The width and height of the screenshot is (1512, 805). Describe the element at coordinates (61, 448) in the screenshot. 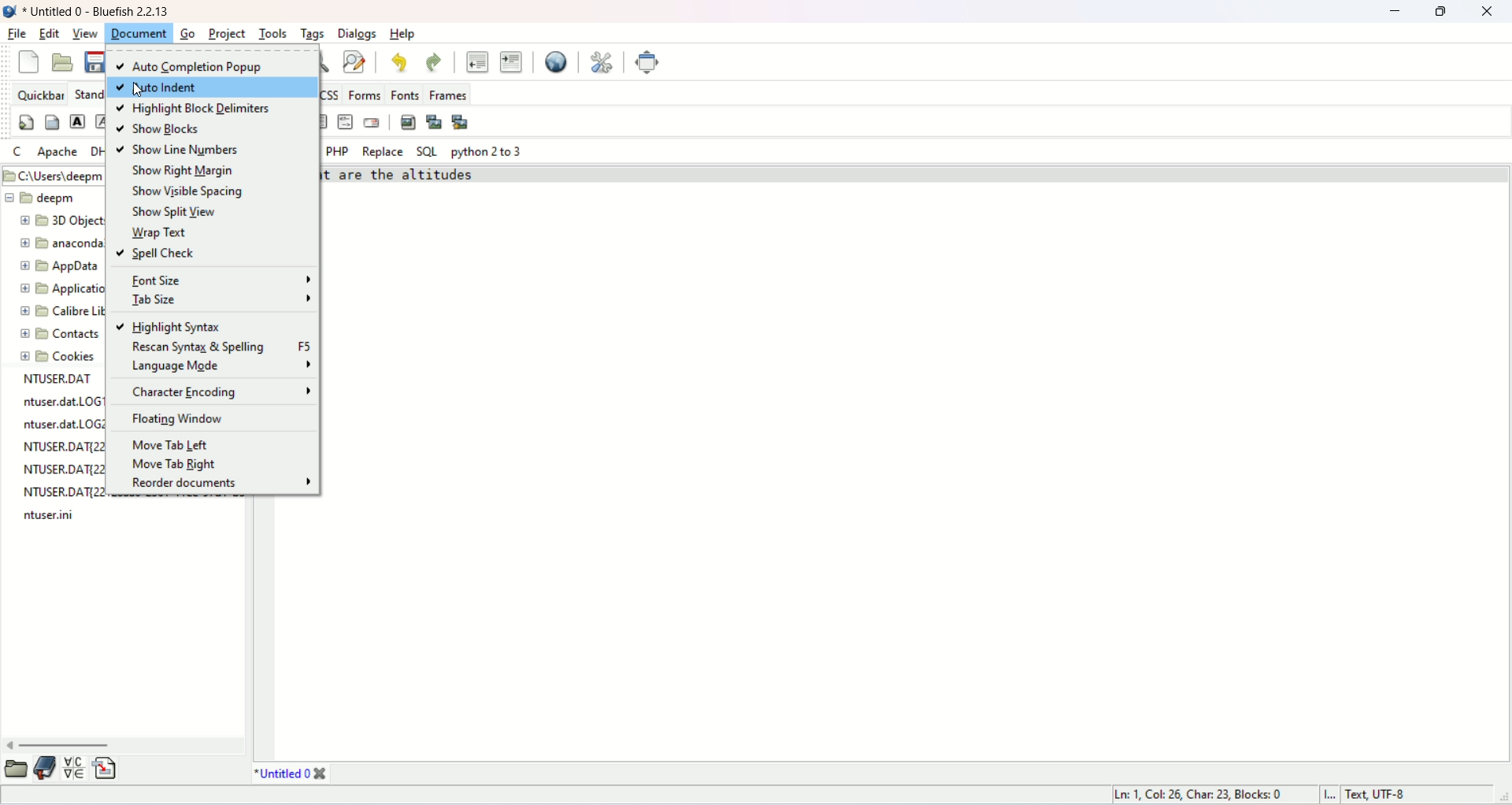

I see `text` at that location.